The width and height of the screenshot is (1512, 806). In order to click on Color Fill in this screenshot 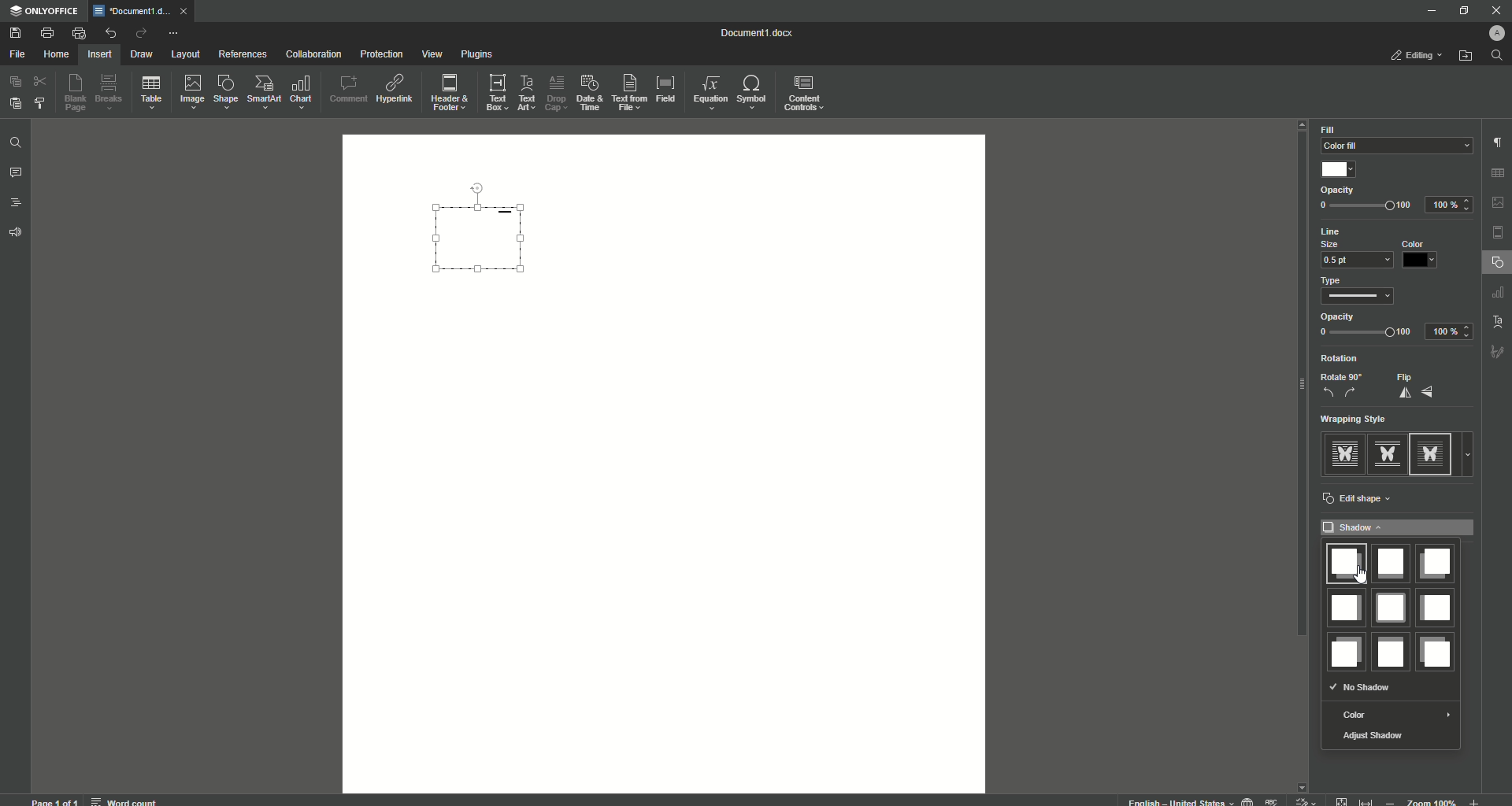, I will do `click(1393, 146)`.